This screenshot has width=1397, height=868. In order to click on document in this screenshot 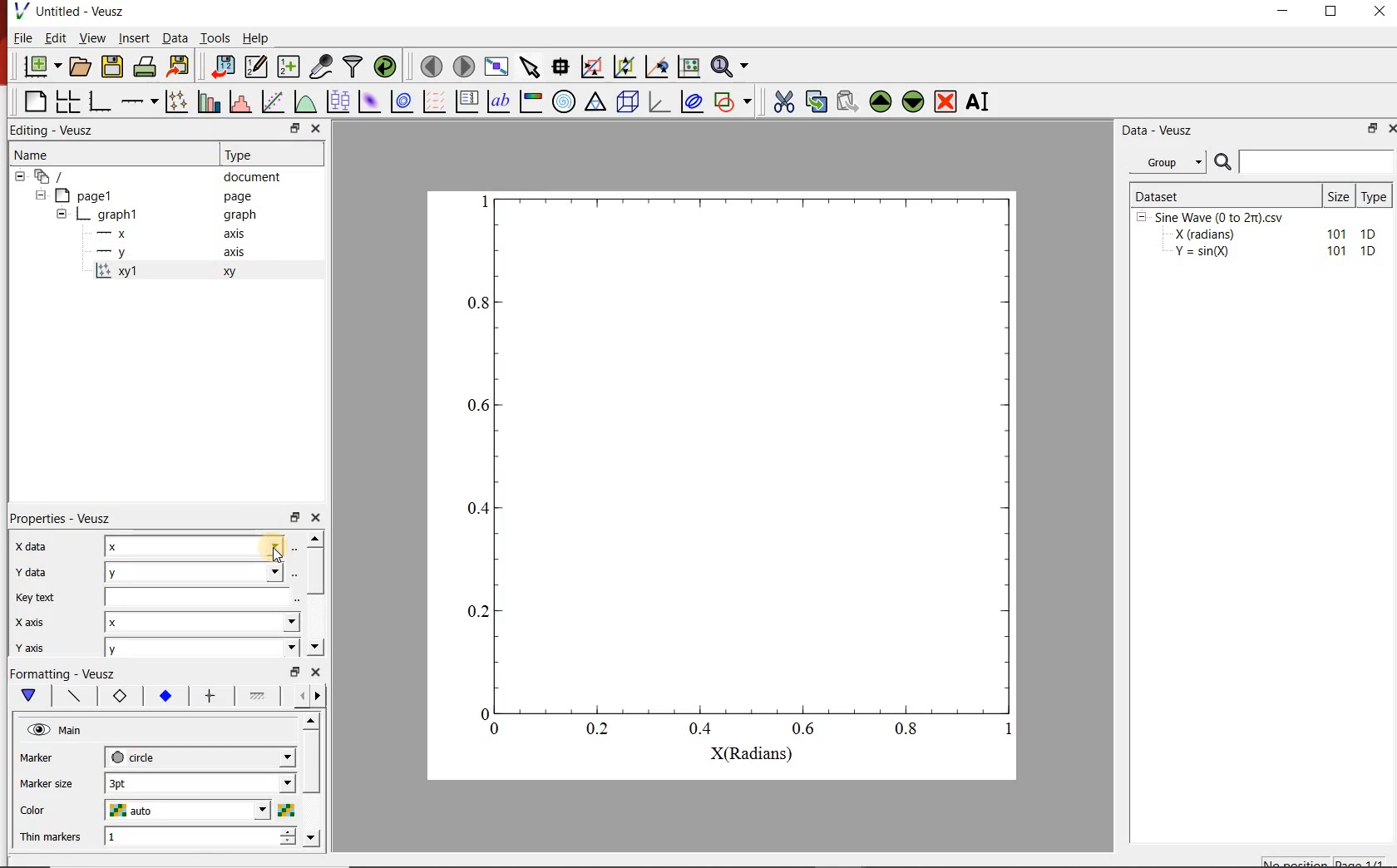, I will do `click(253, 177)`.